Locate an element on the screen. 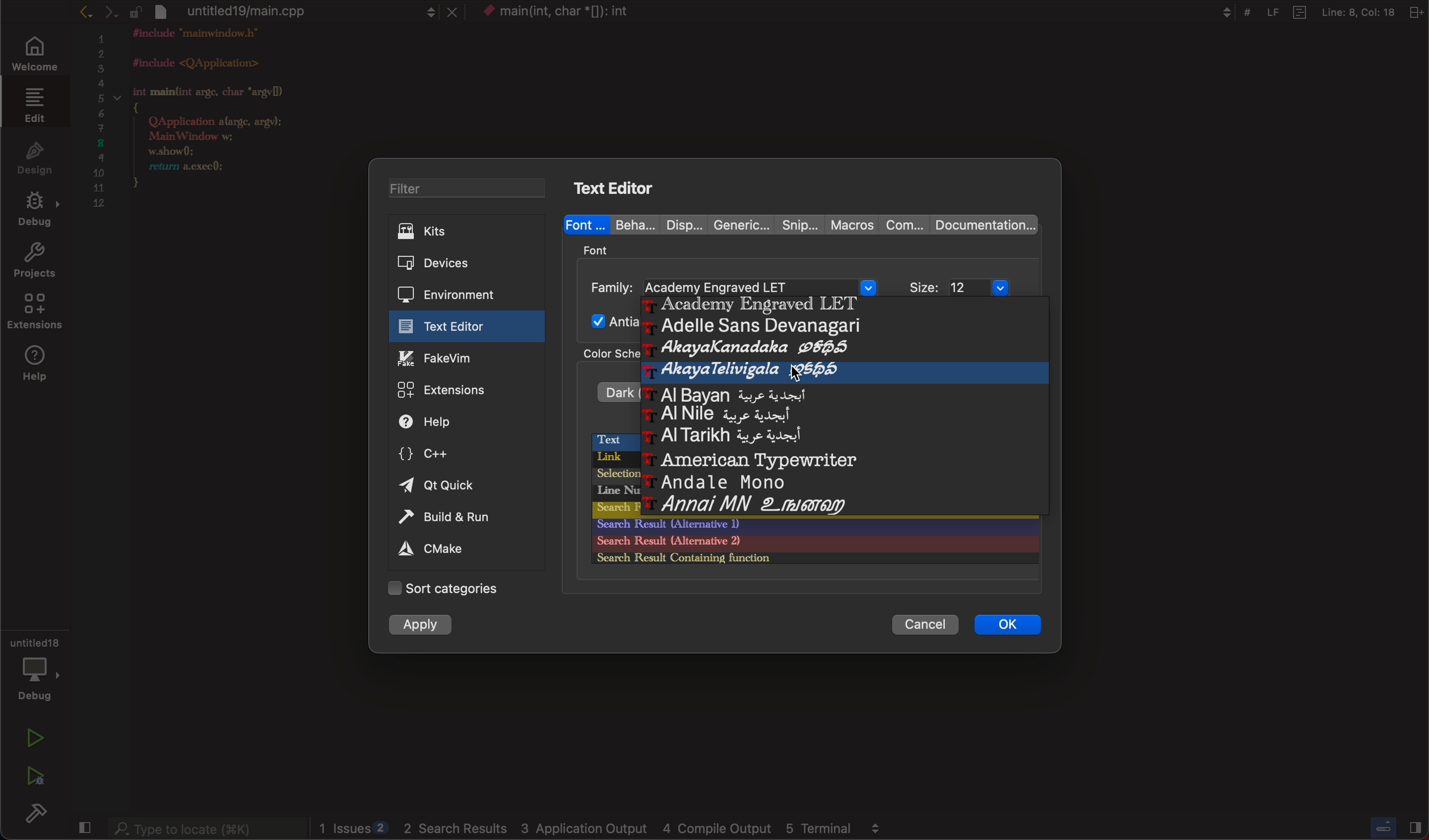  arrows is located at coordinates (108, 12).